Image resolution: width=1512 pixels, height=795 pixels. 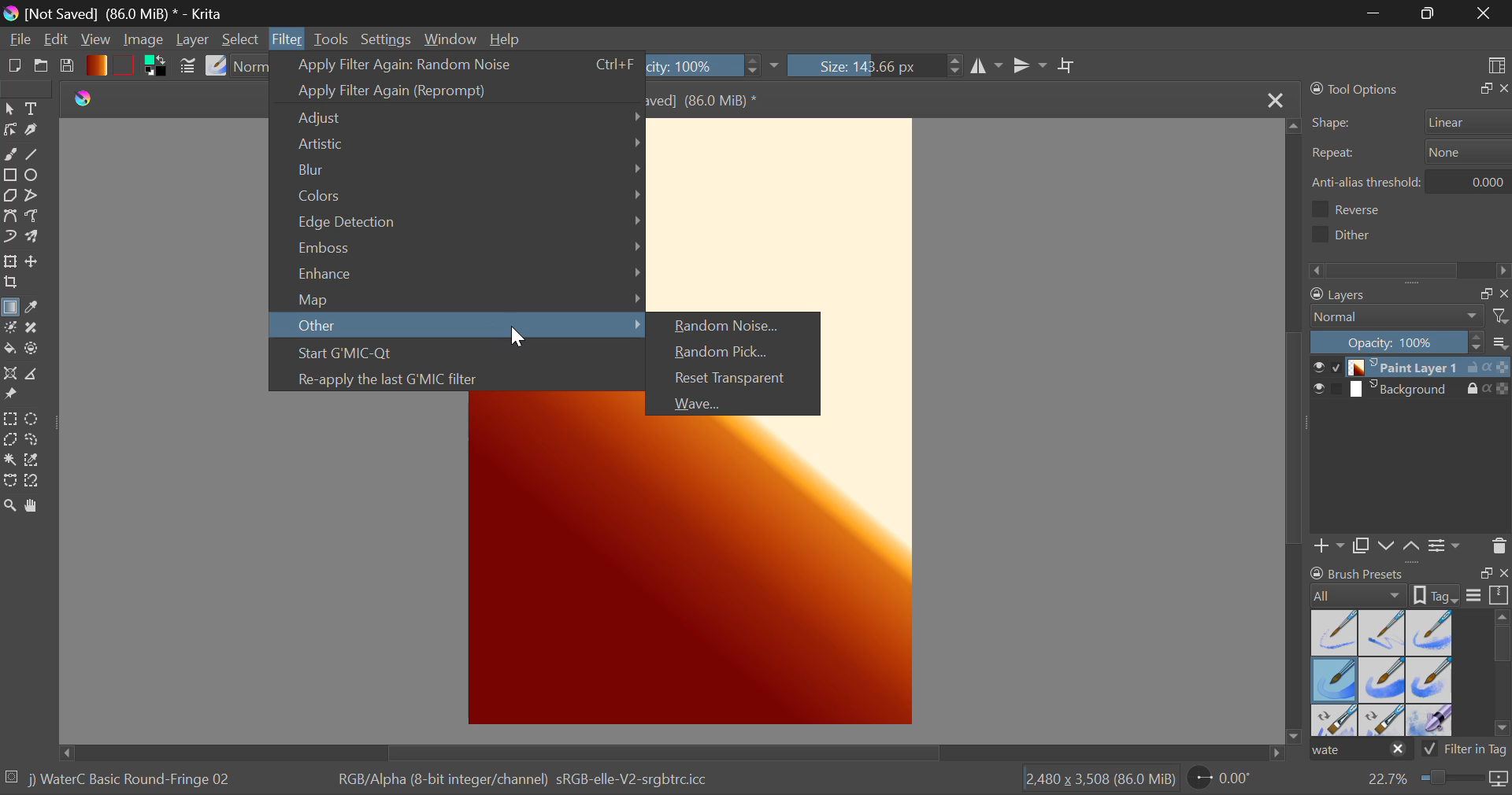 I want to click on Line, so click(x=37, y=153).